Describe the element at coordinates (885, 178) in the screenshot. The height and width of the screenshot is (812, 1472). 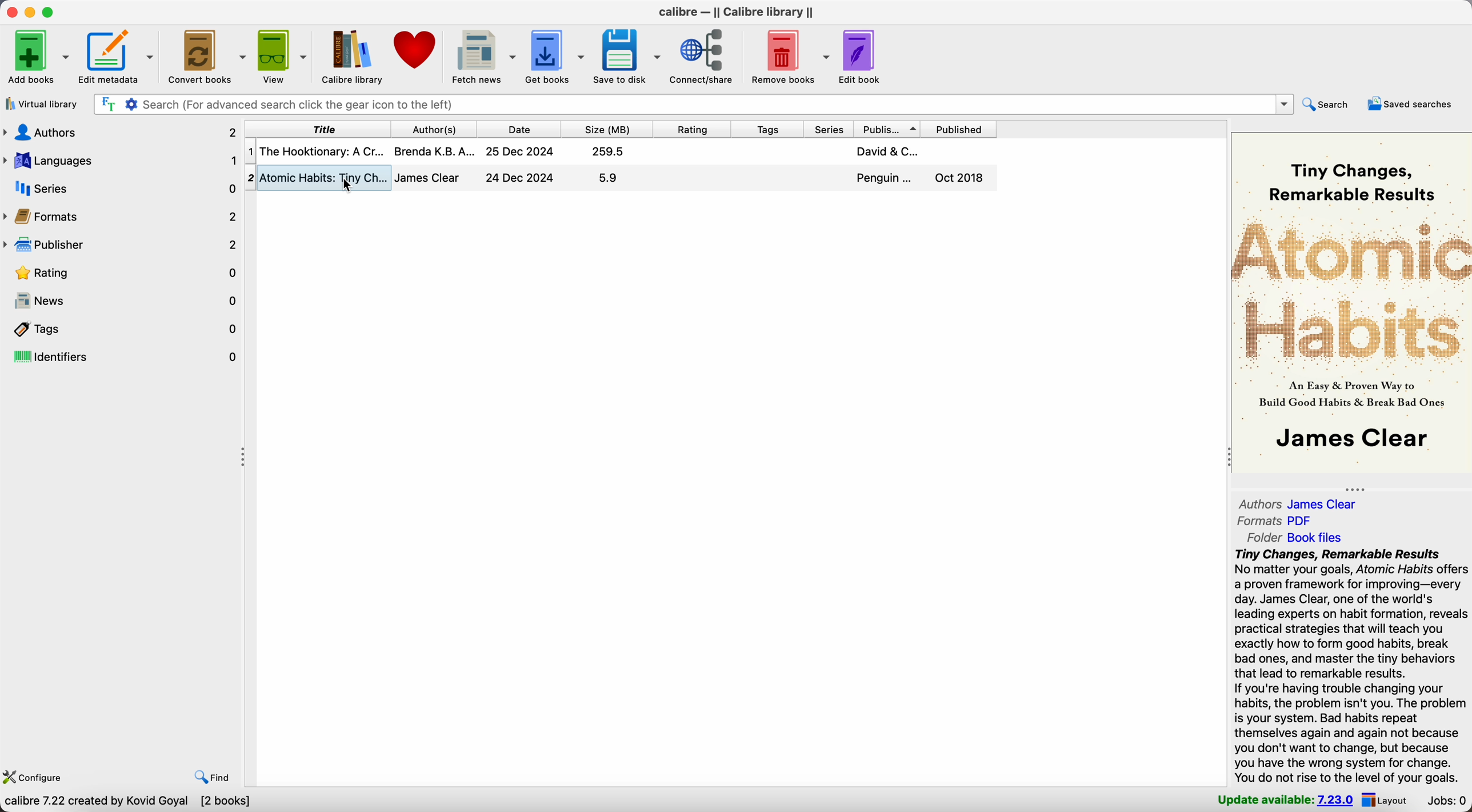
I see `Penguin` at that location.